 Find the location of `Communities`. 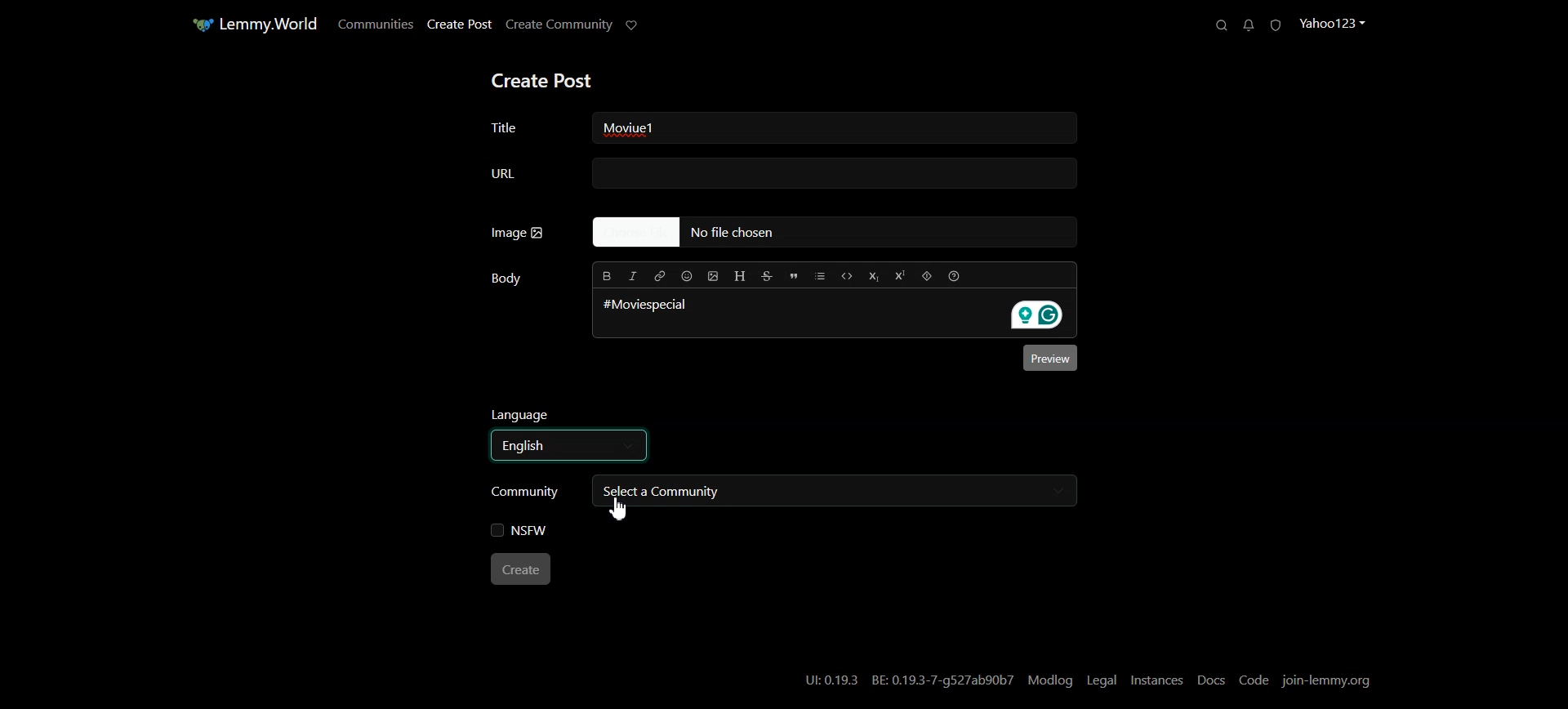

Communities is located at coordinates (373, 24).